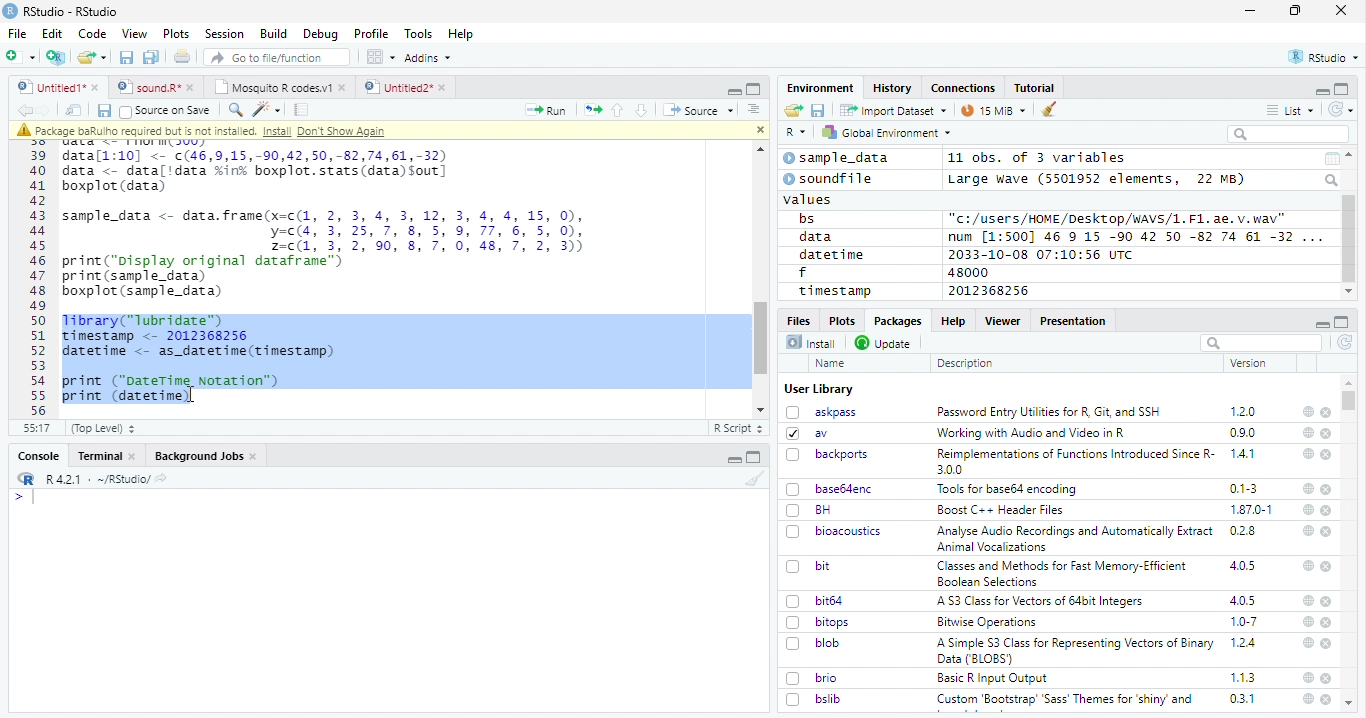 This screenshot has width=1366, height=718. I want to click on Edit, so click(52, 33).